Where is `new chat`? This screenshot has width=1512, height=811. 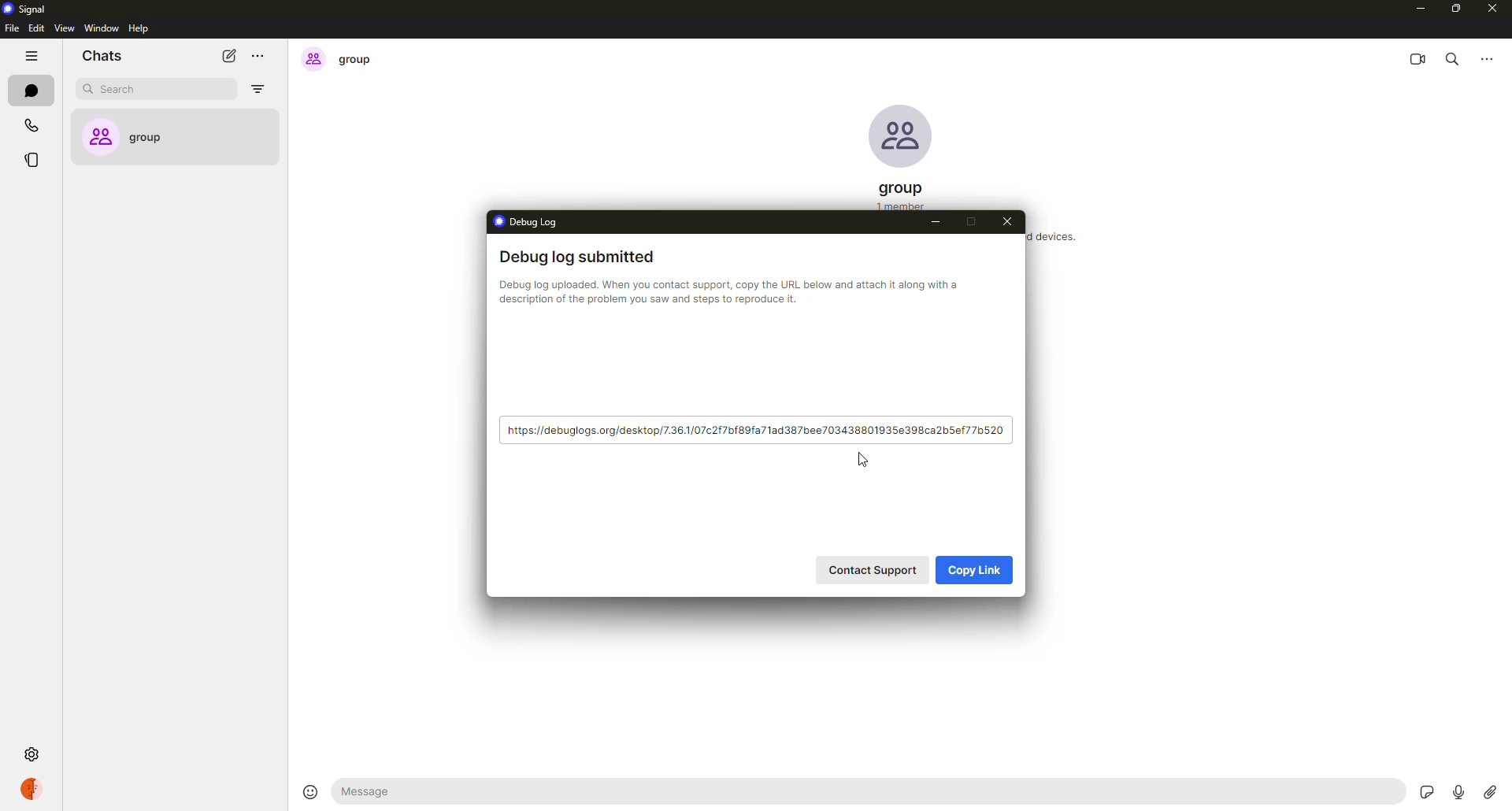
new chat is located at coordinates (229, 55).